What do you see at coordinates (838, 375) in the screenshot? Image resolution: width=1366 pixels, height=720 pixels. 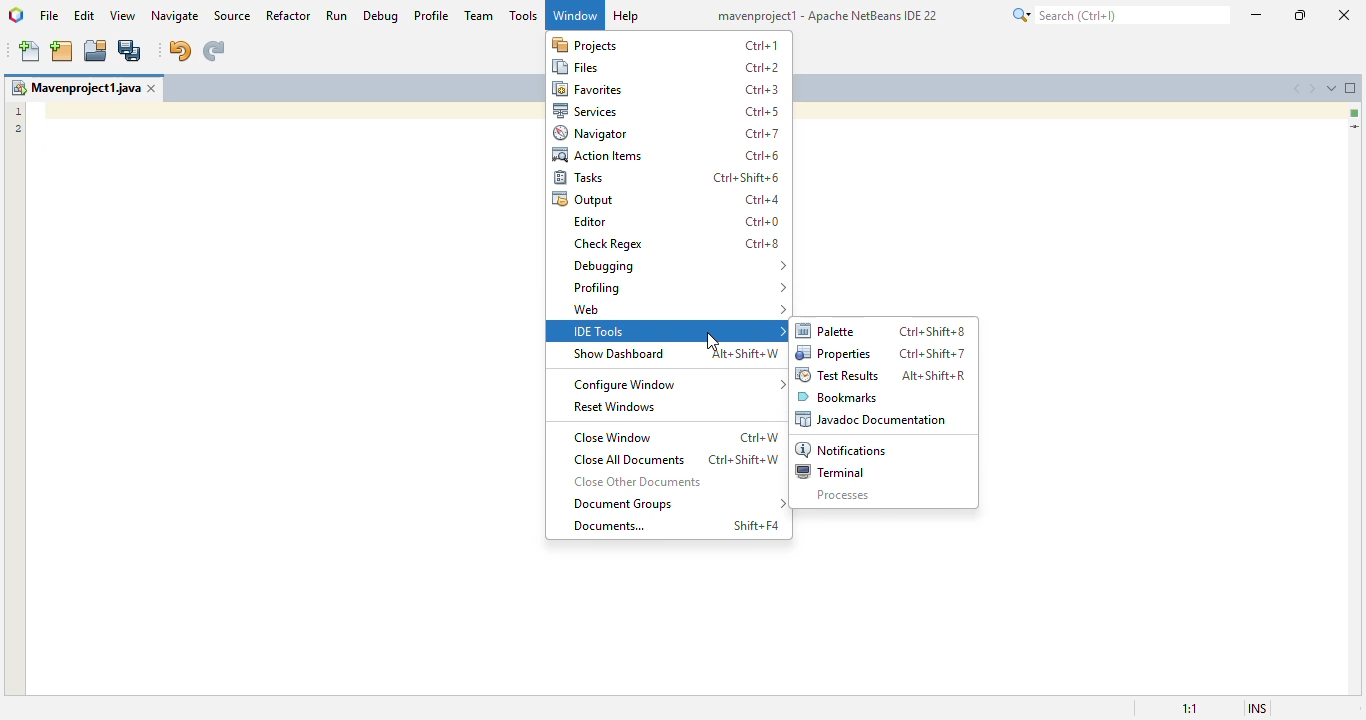 I see `test results` at bounding box center [838, 375].